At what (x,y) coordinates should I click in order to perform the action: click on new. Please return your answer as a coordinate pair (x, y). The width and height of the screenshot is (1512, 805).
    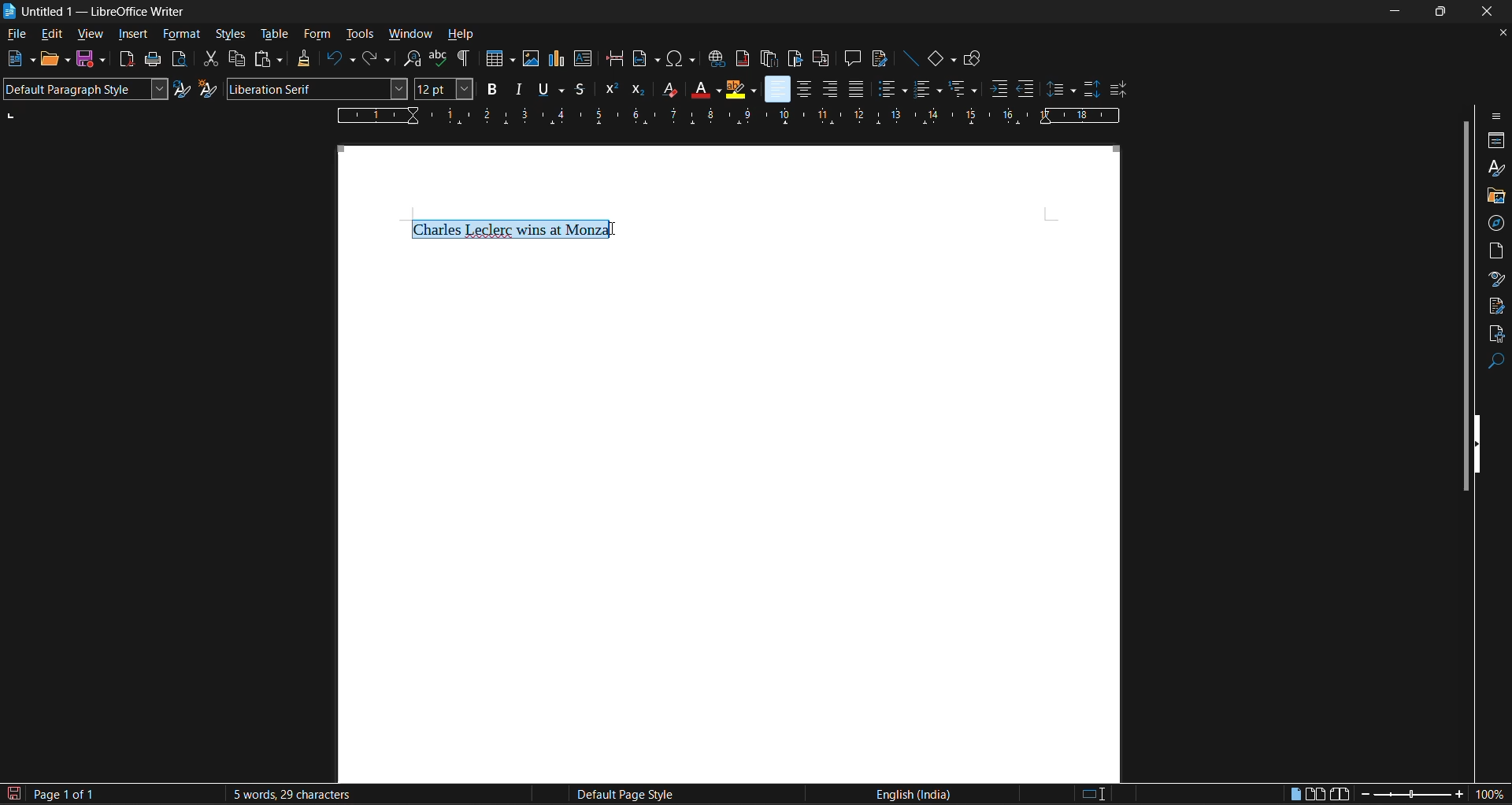
    Looking at the image, I should click on (20, 59).